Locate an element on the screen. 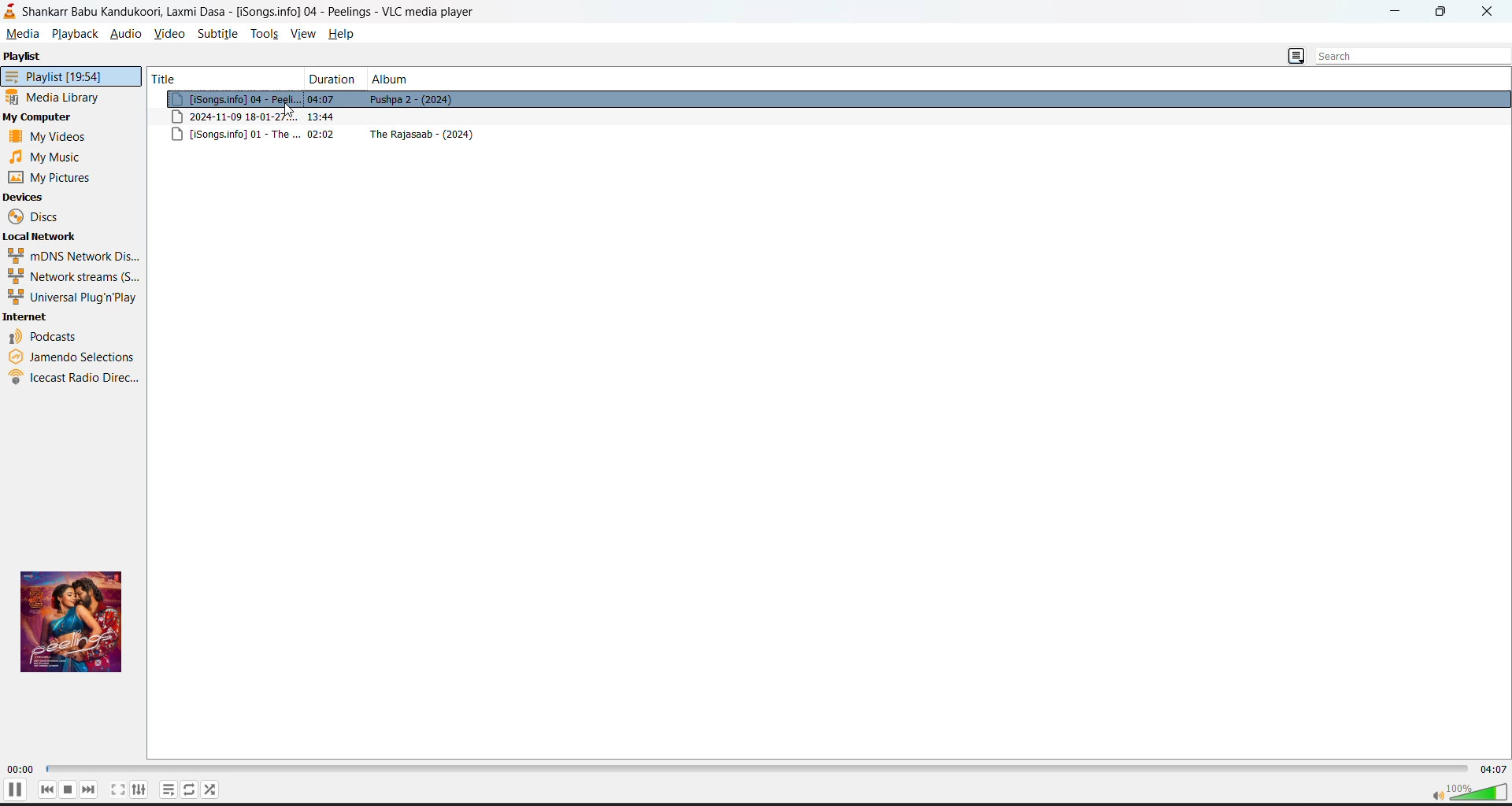  current play time is located at coordinates (20, 770).